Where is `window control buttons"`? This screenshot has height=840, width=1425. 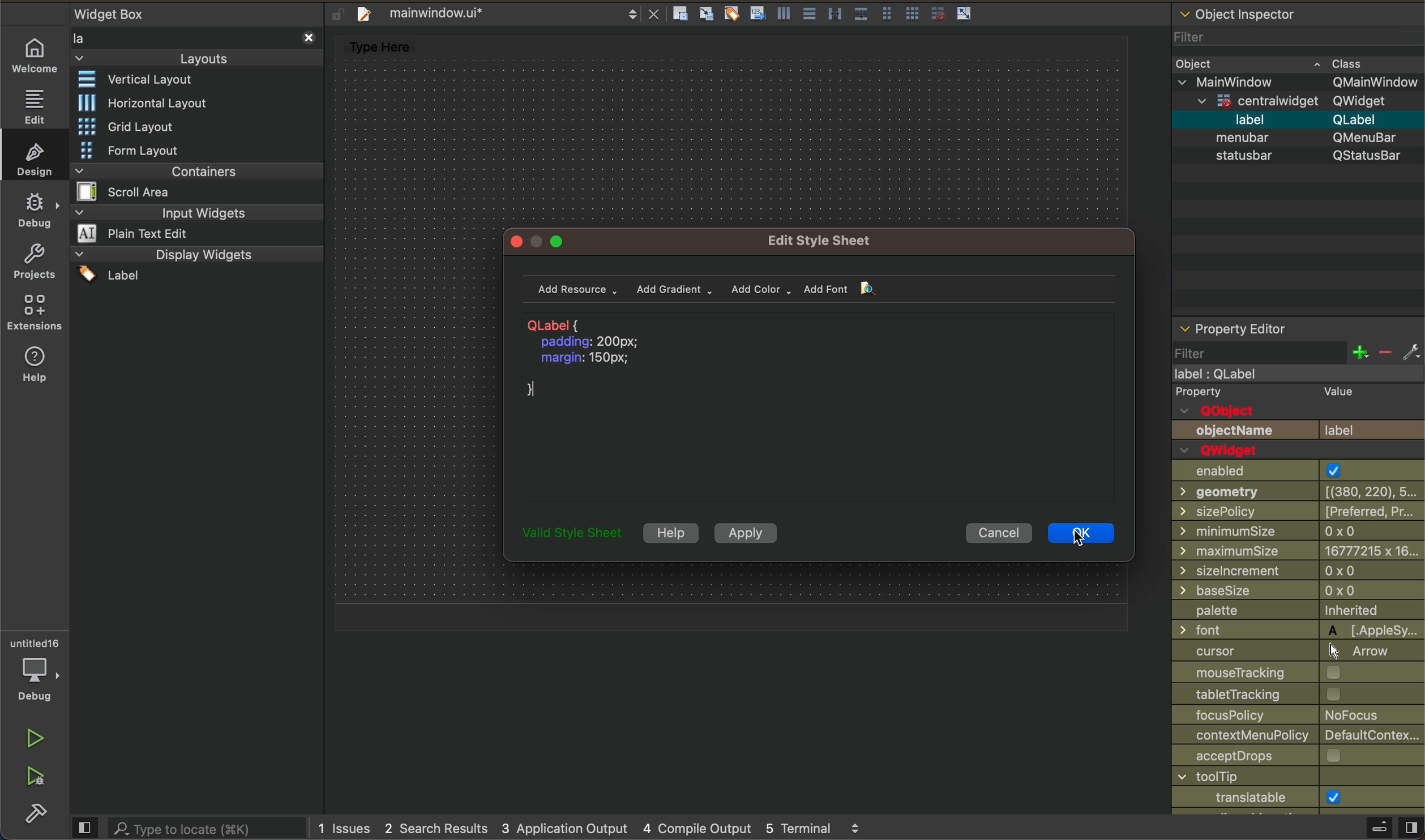
window control buttons" is located at coordinates (544, 242).